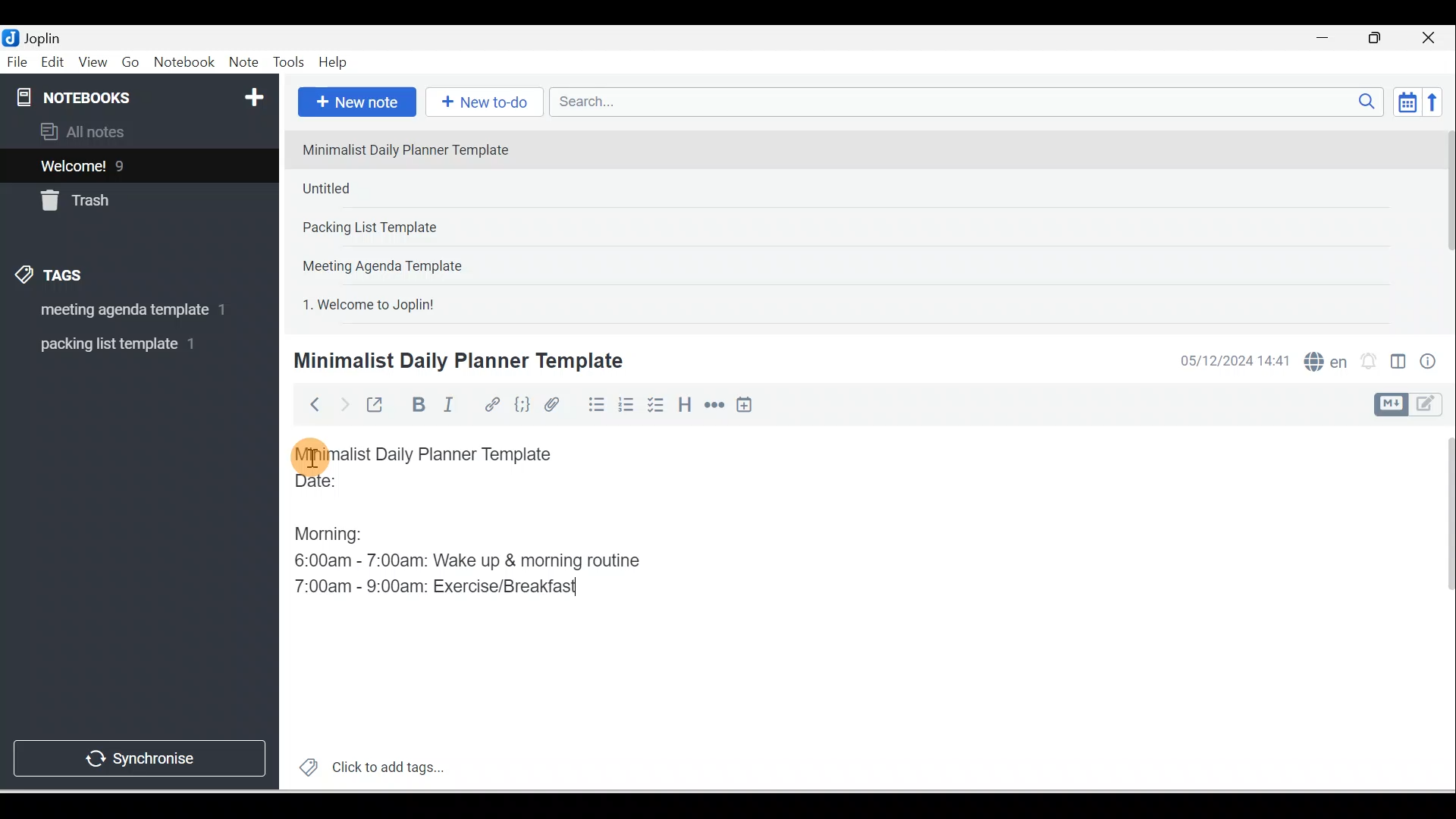 The image size is (1456, 819). Describe the element at coordinates (288, 62) in the screenshot. I see `Tools` at that location.